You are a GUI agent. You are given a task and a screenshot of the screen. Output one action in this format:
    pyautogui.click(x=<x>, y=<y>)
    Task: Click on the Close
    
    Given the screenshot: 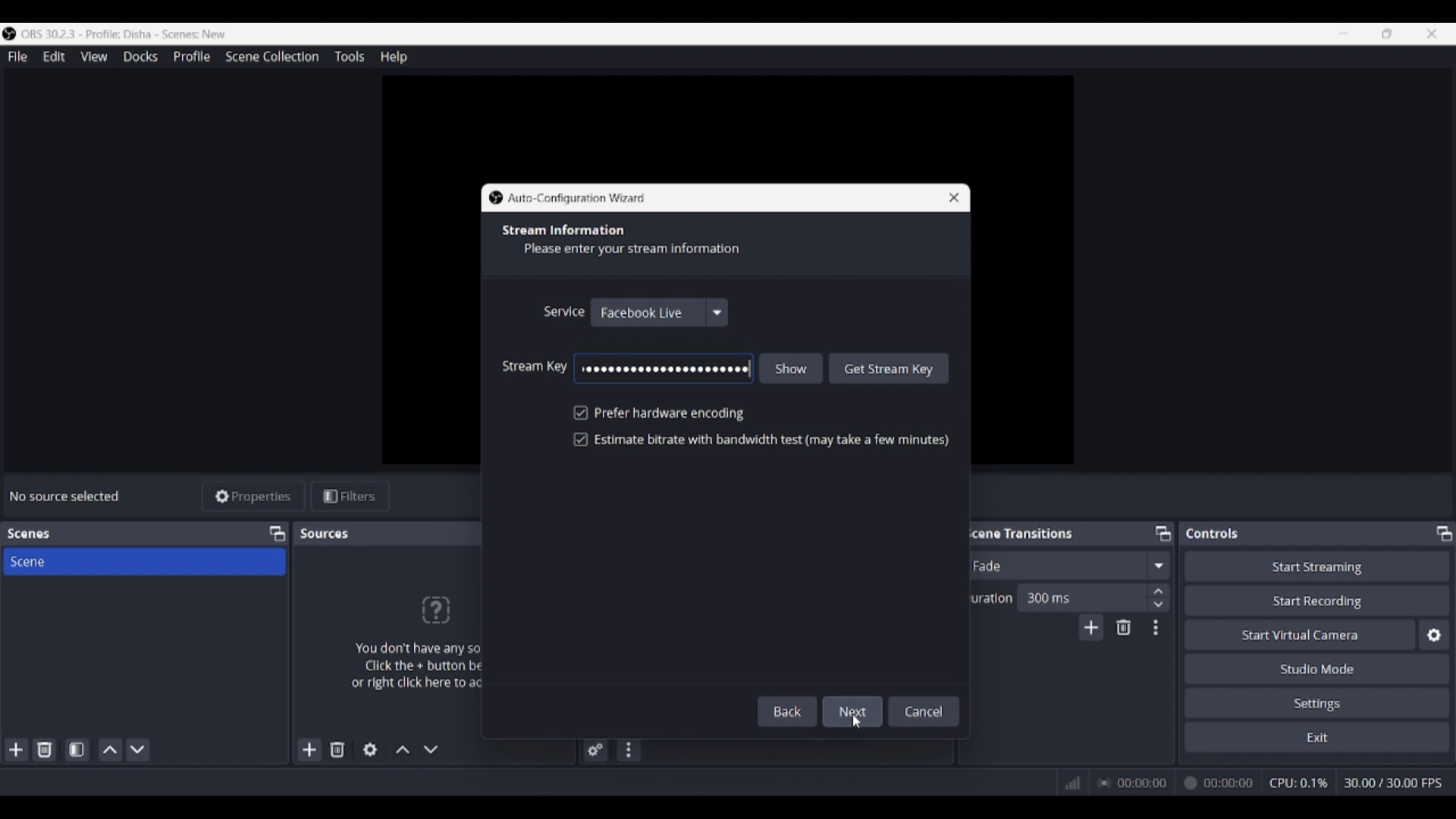 What is the action you would take?
    pyautogui.click(x=948, y=196)
    